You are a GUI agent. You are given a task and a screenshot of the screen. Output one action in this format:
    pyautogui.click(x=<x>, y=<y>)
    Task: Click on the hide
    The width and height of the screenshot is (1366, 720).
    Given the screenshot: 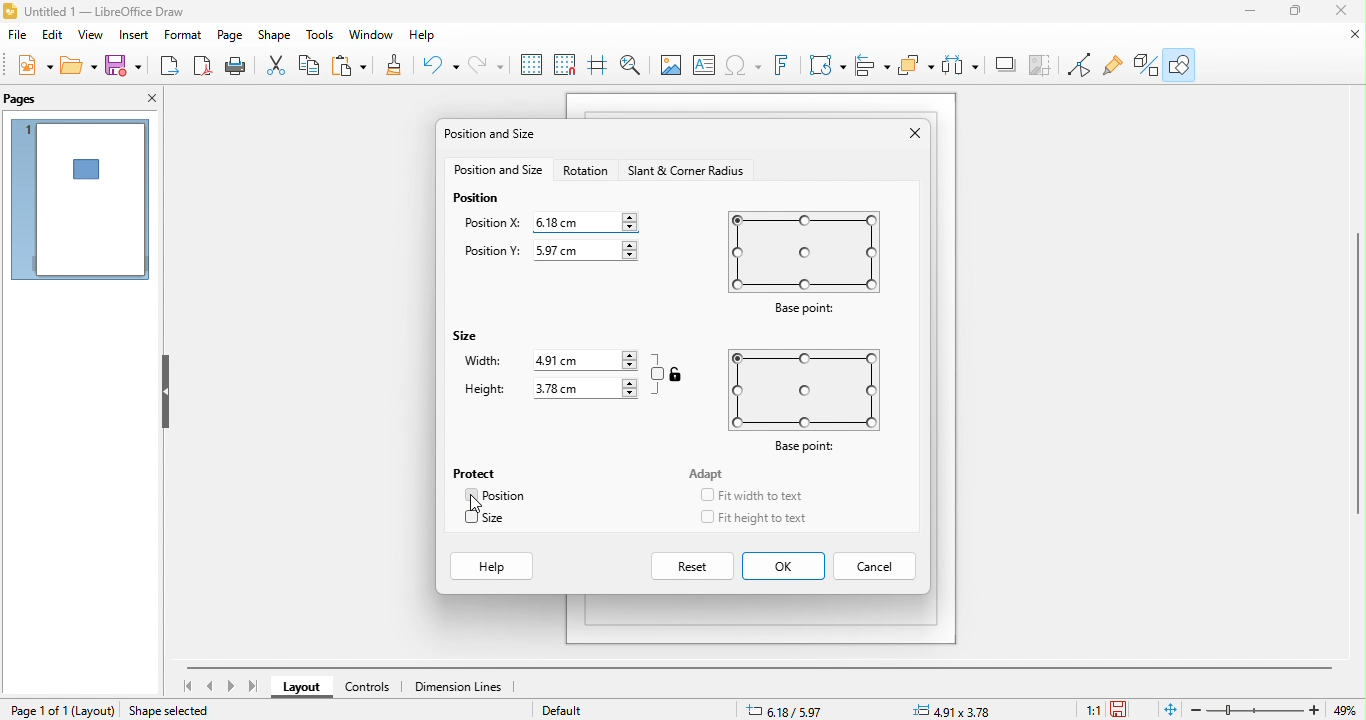 What is the action you would take?
    pyautogui.click(x=163, y=393)
    